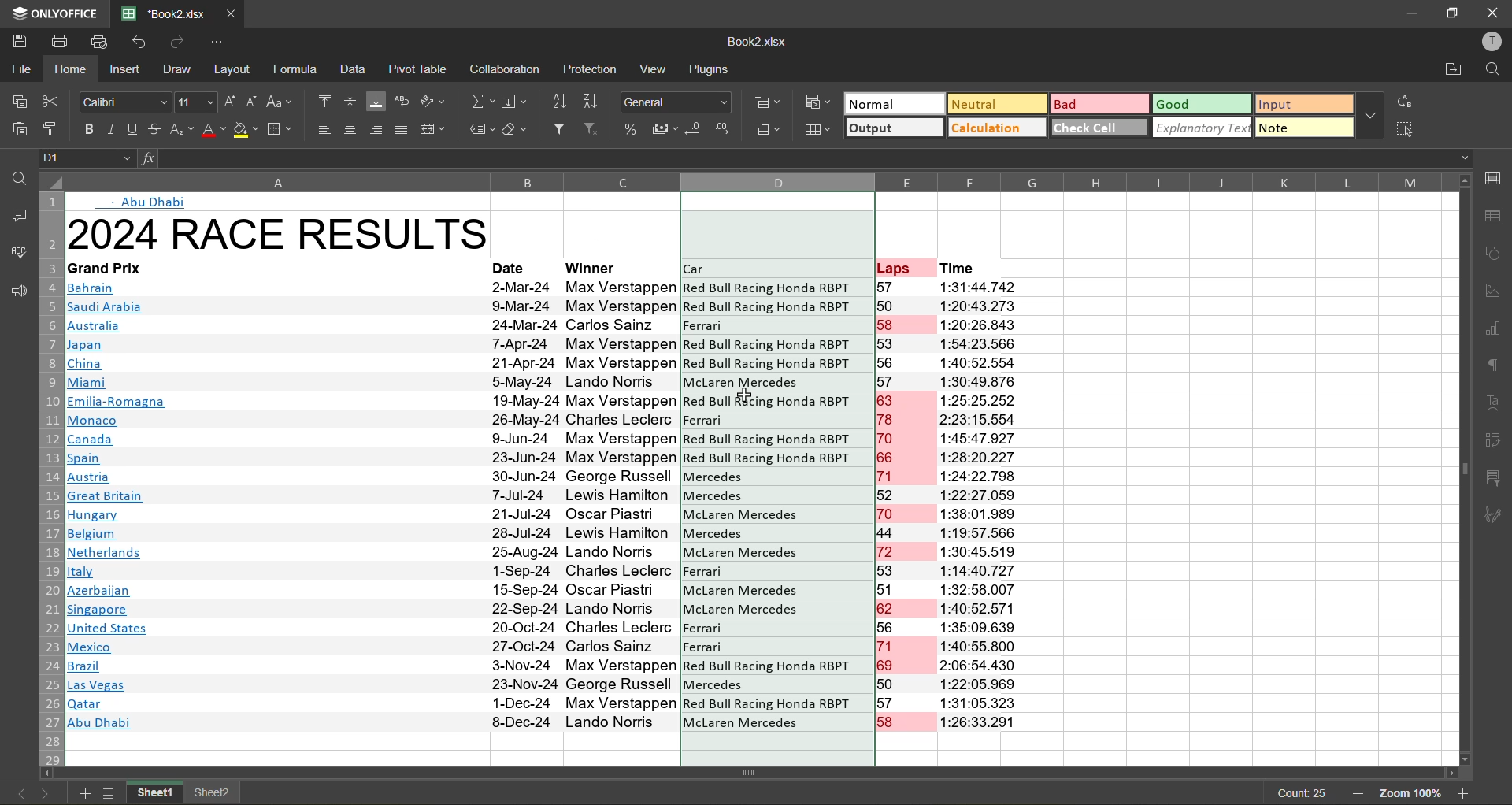  I want to click on sort descending, so click(591, 102).